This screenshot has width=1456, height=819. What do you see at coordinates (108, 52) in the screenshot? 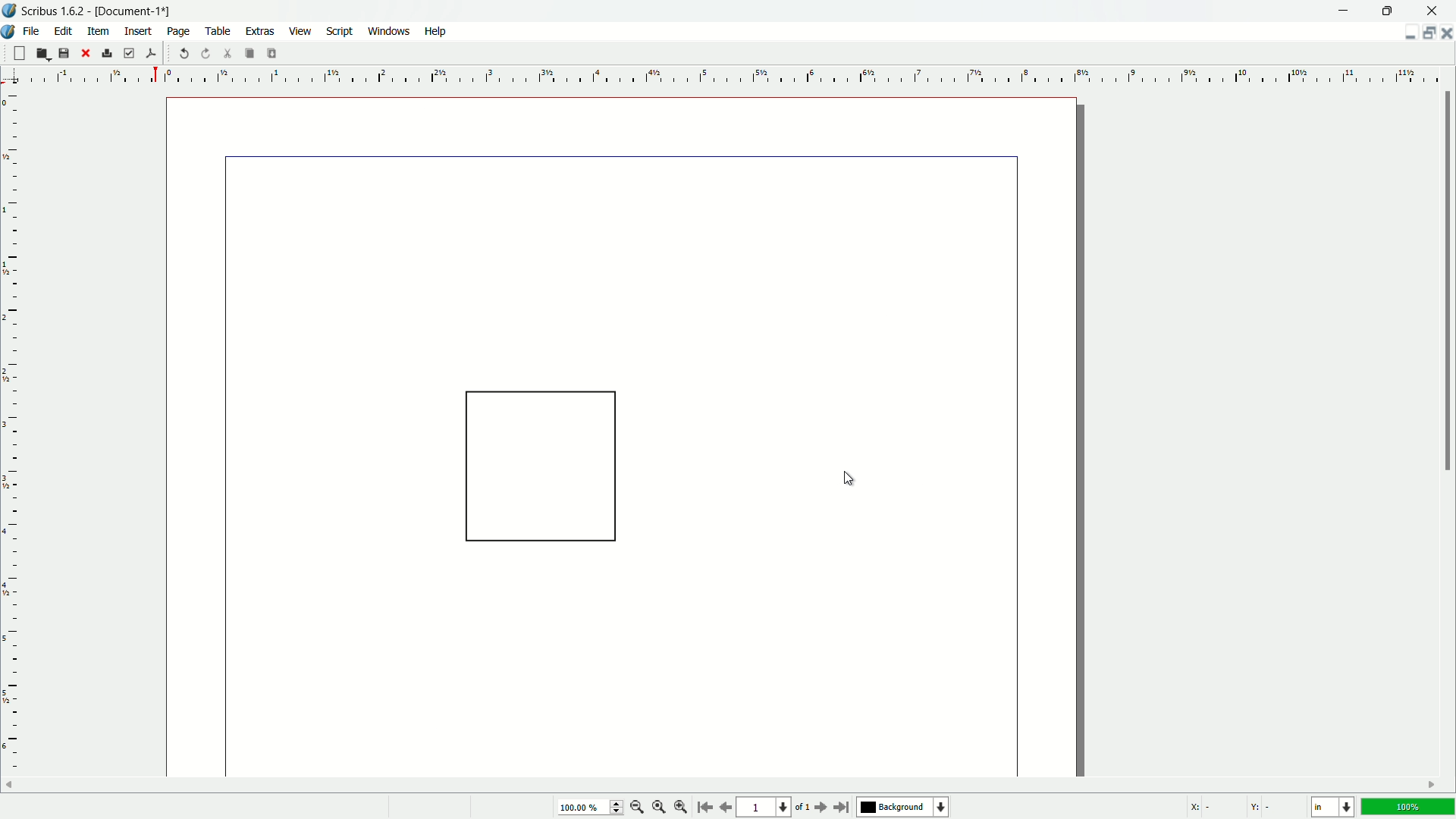
I see `print` at bounding box center [108, 52].